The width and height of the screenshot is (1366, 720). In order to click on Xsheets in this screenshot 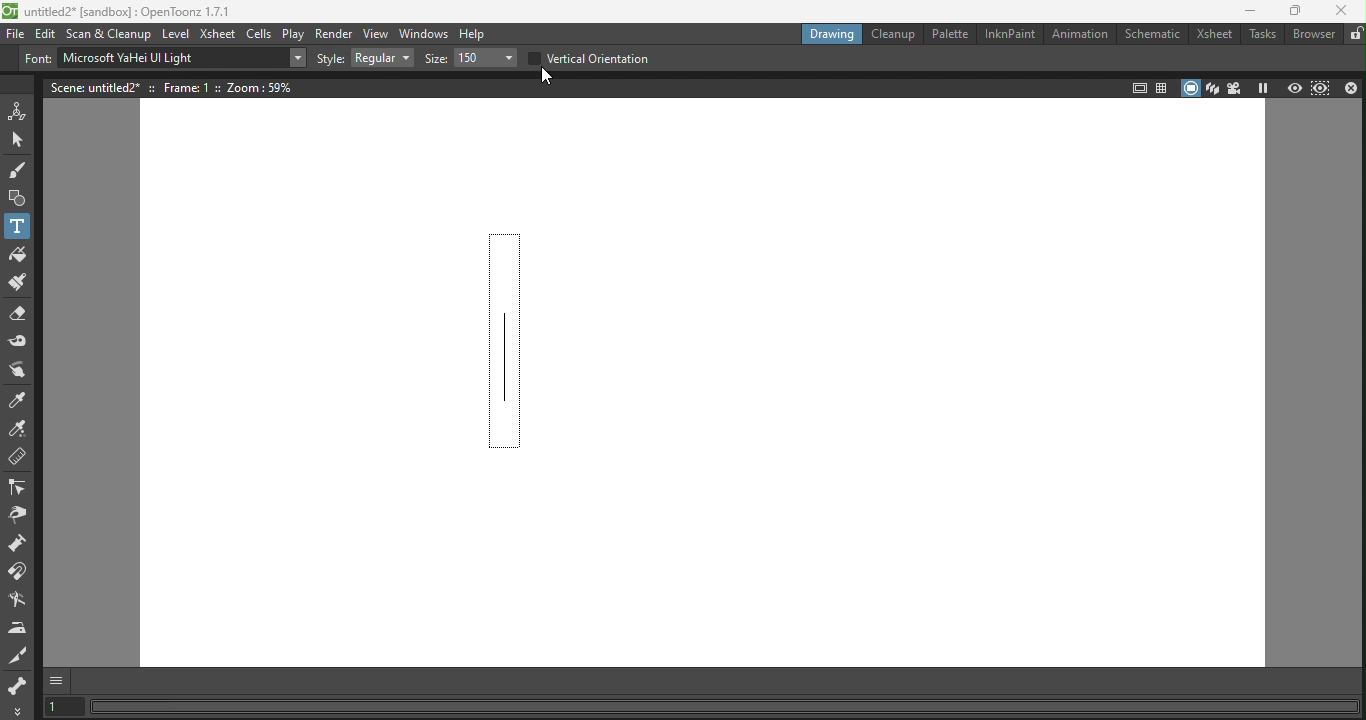, I will do `click(1211, 34)`.